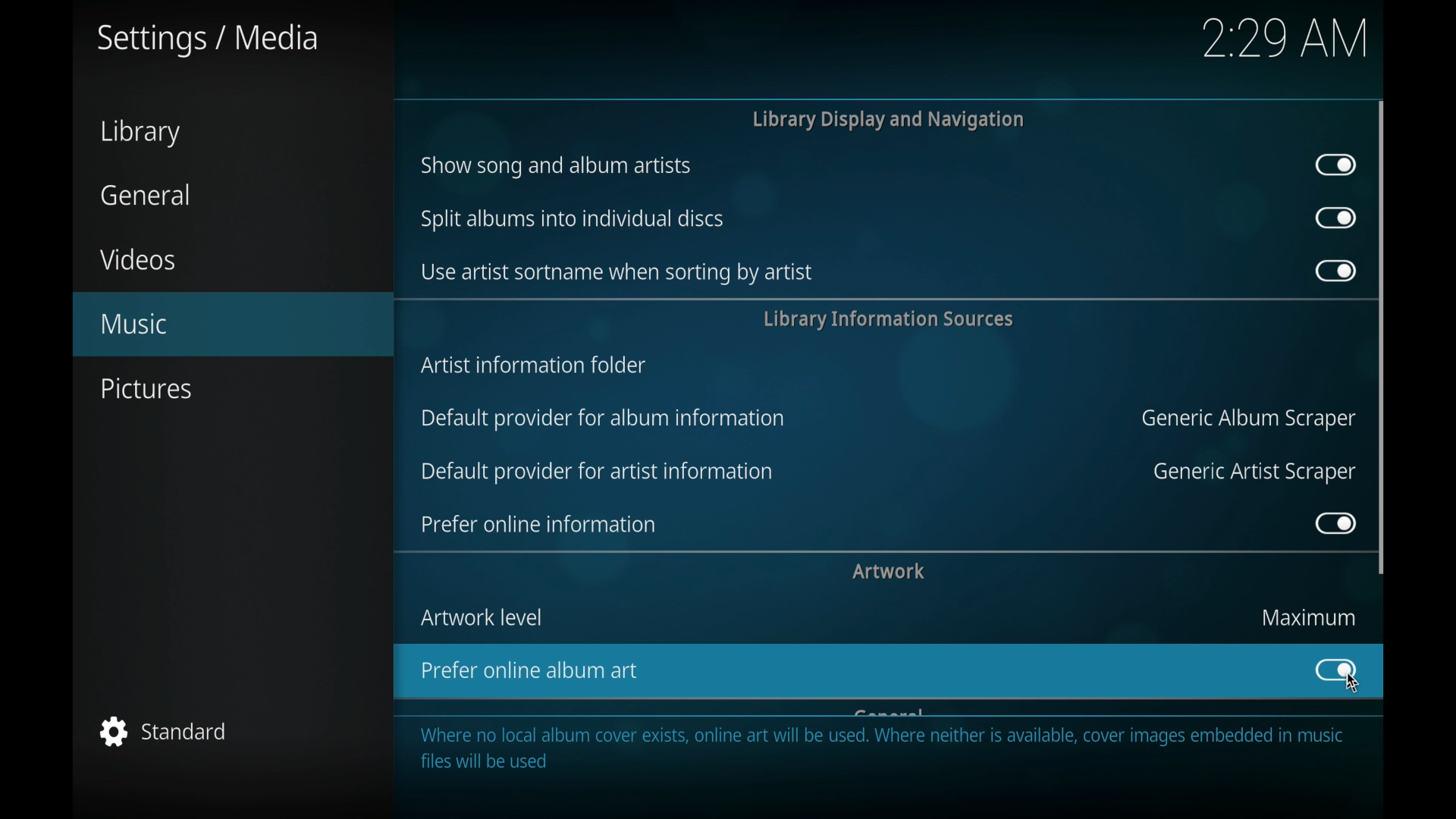 Image resolution: width=1456 pixels, height=819 pixels. Describe the element at coordinates (887, 319) in the screenshot. I see `library information services` at that location.